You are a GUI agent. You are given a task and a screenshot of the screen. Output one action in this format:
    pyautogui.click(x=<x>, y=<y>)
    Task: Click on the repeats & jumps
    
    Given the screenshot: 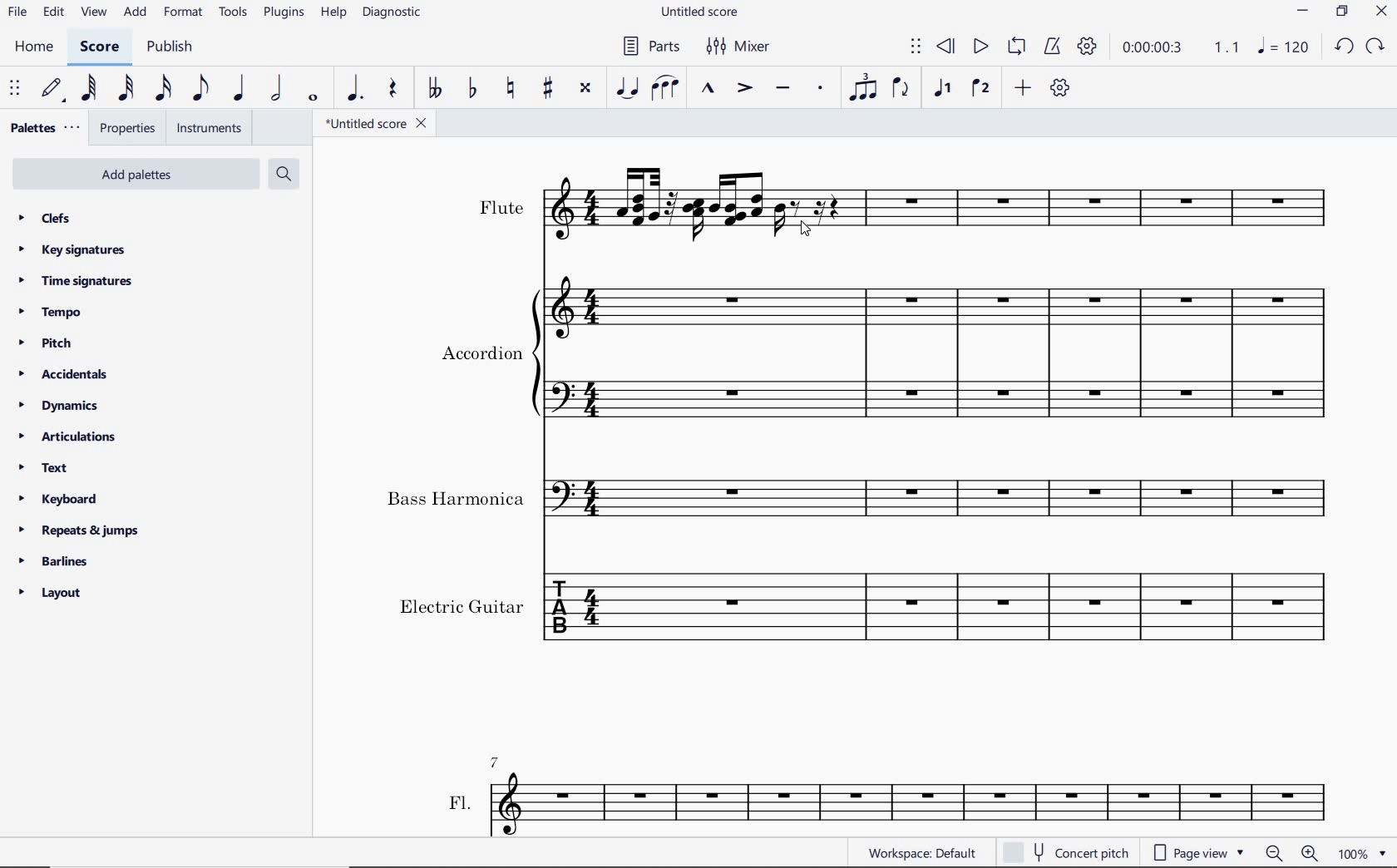 What is the action you would take?
    pyautogui.click(x=79, y=530)
    